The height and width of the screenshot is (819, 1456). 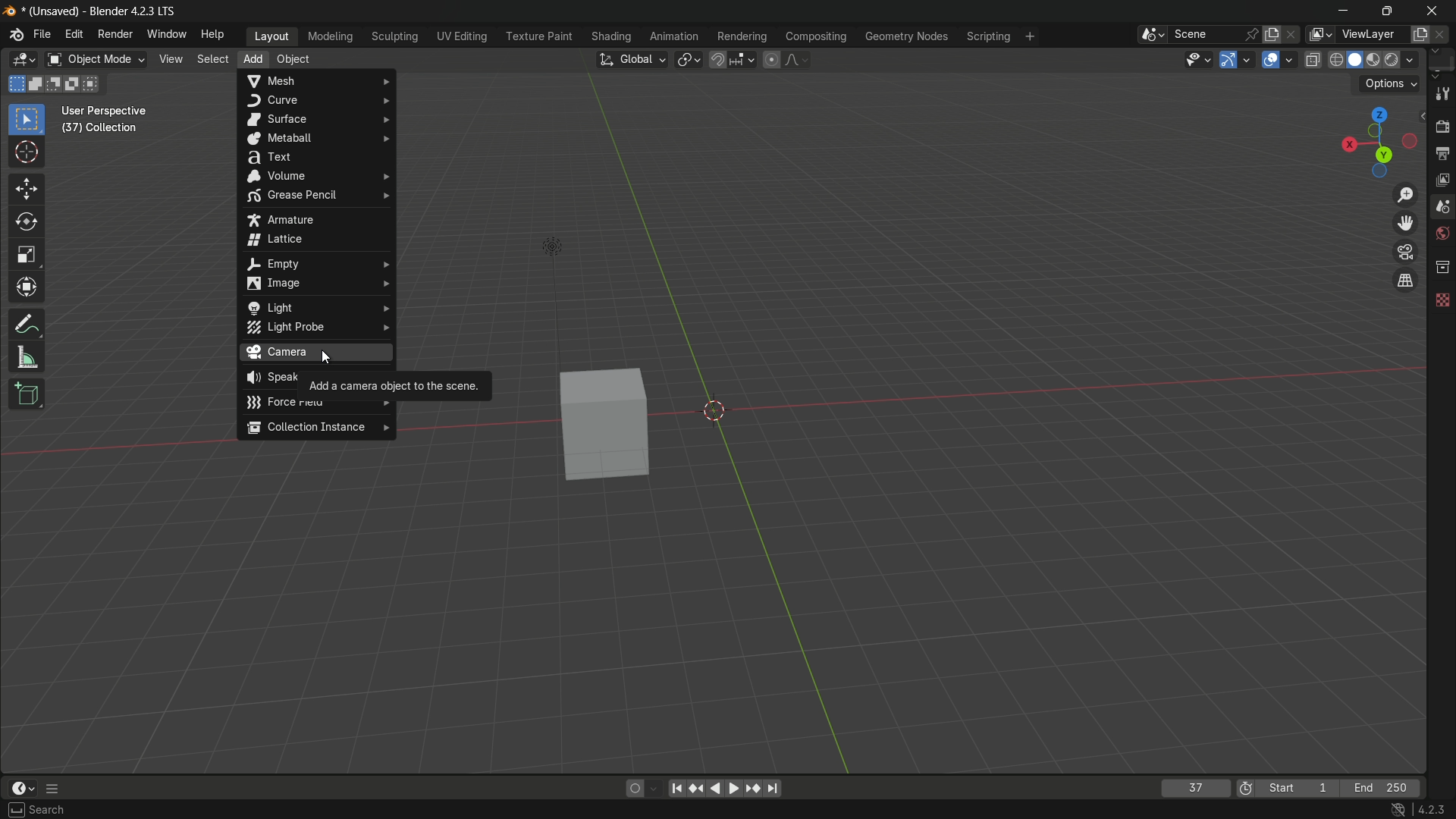 What do you see at coordinates (9, 9) in the screenshot?
I see `logo` at bounding box center [9, 9].